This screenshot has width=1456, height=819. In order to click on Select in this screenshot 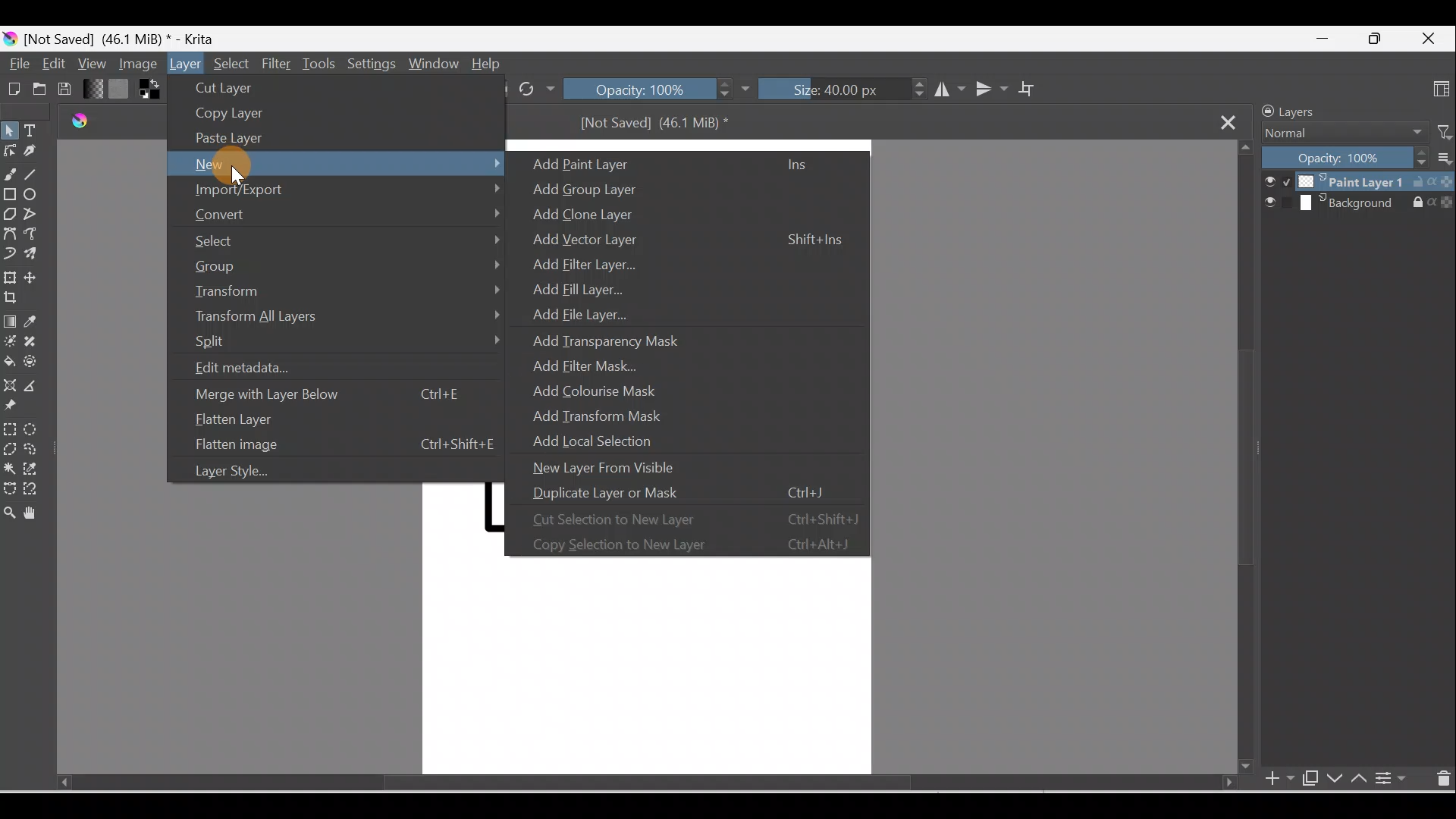, I will do `click(344, 238)`.